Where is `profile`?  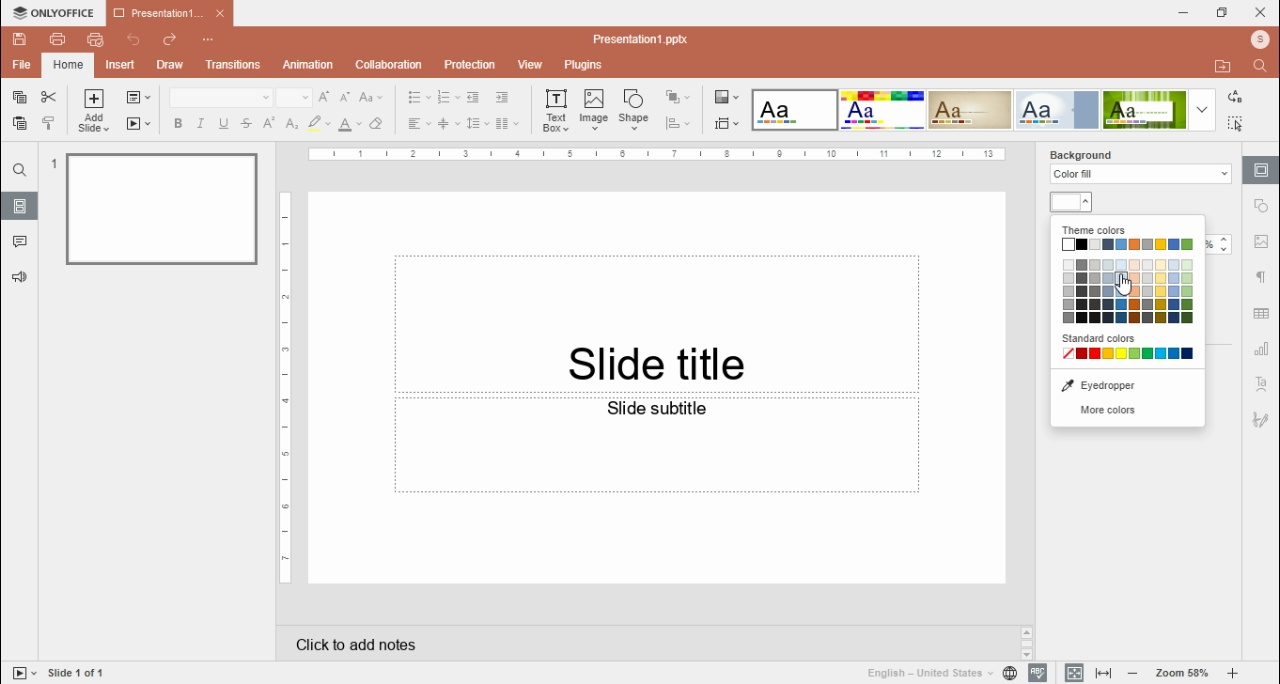
profile is located at coordinates (1259, 41).